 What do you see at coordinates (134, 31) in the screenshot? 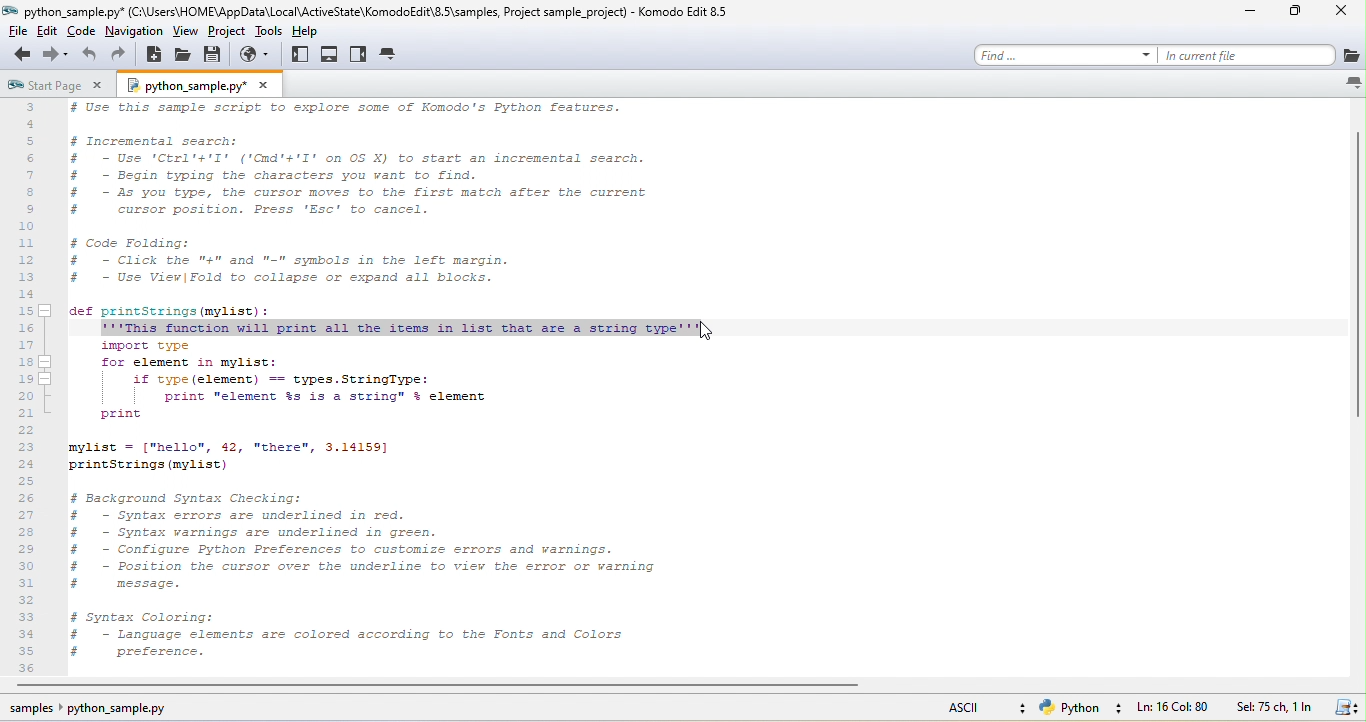
I see `navigation` at bounding box center [134, 31].